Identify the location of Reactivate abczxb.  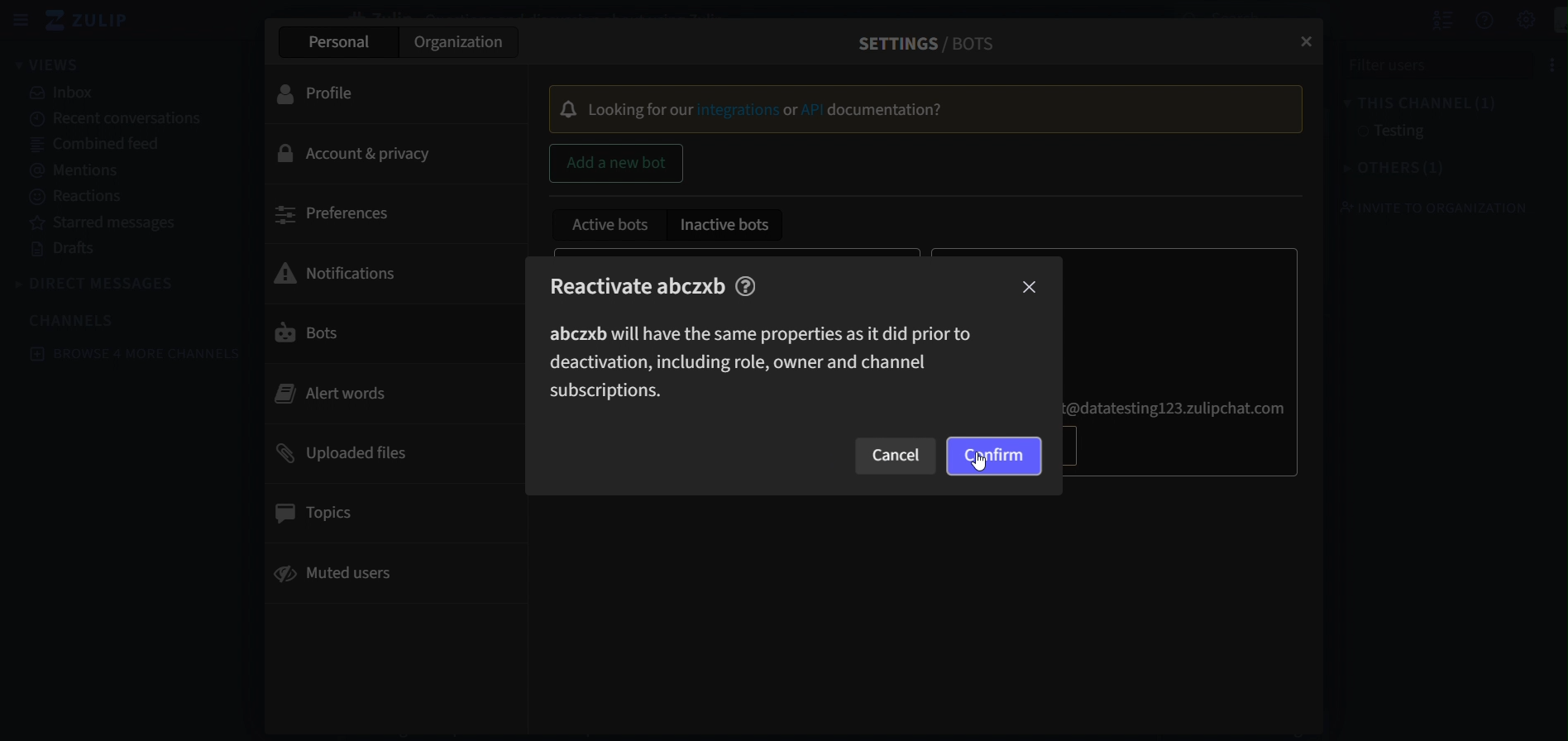
(635, 286).